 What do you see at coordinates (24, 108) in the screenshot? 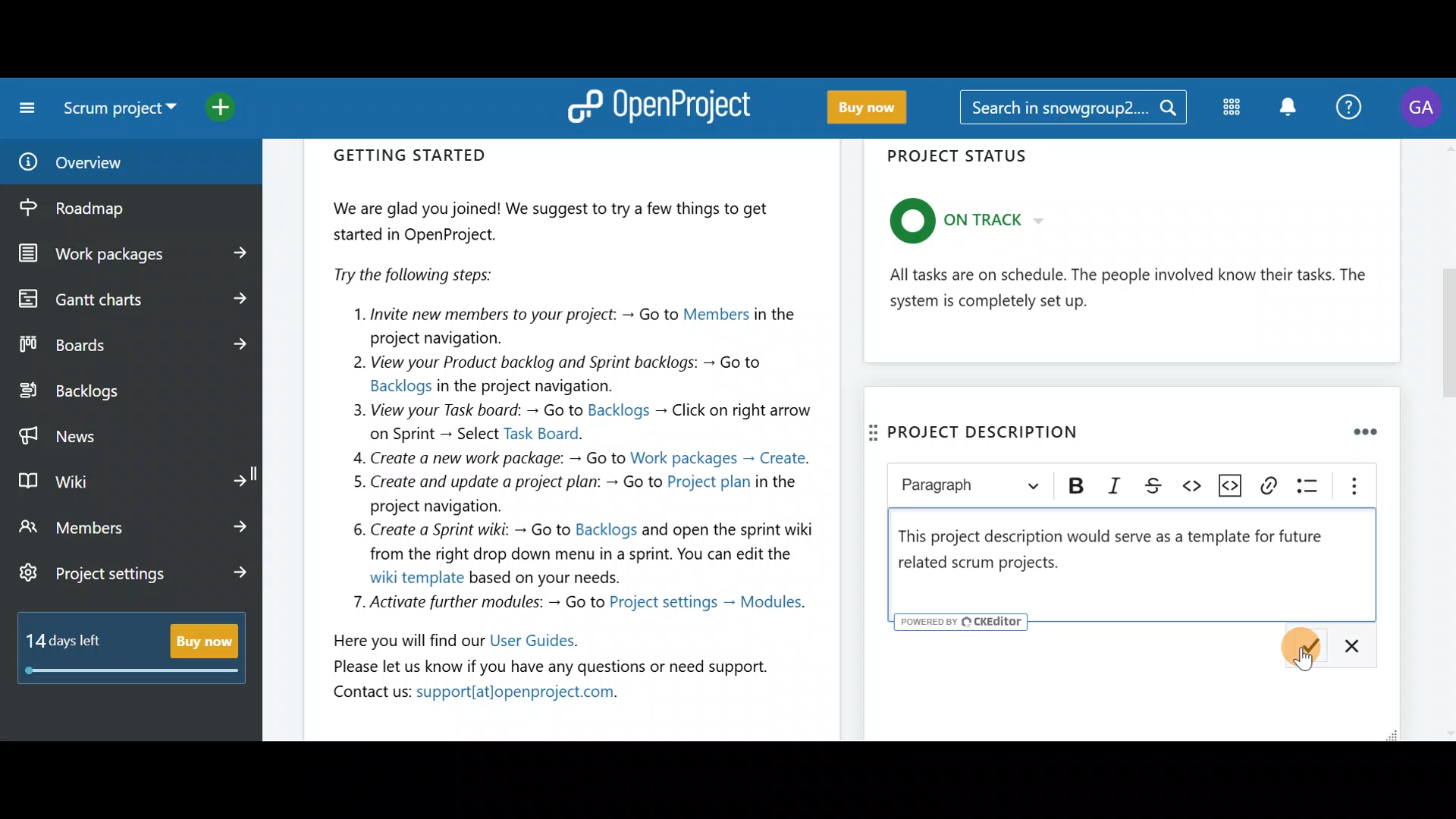
I see `Collapse project menu` at bounding box center [24, 108].